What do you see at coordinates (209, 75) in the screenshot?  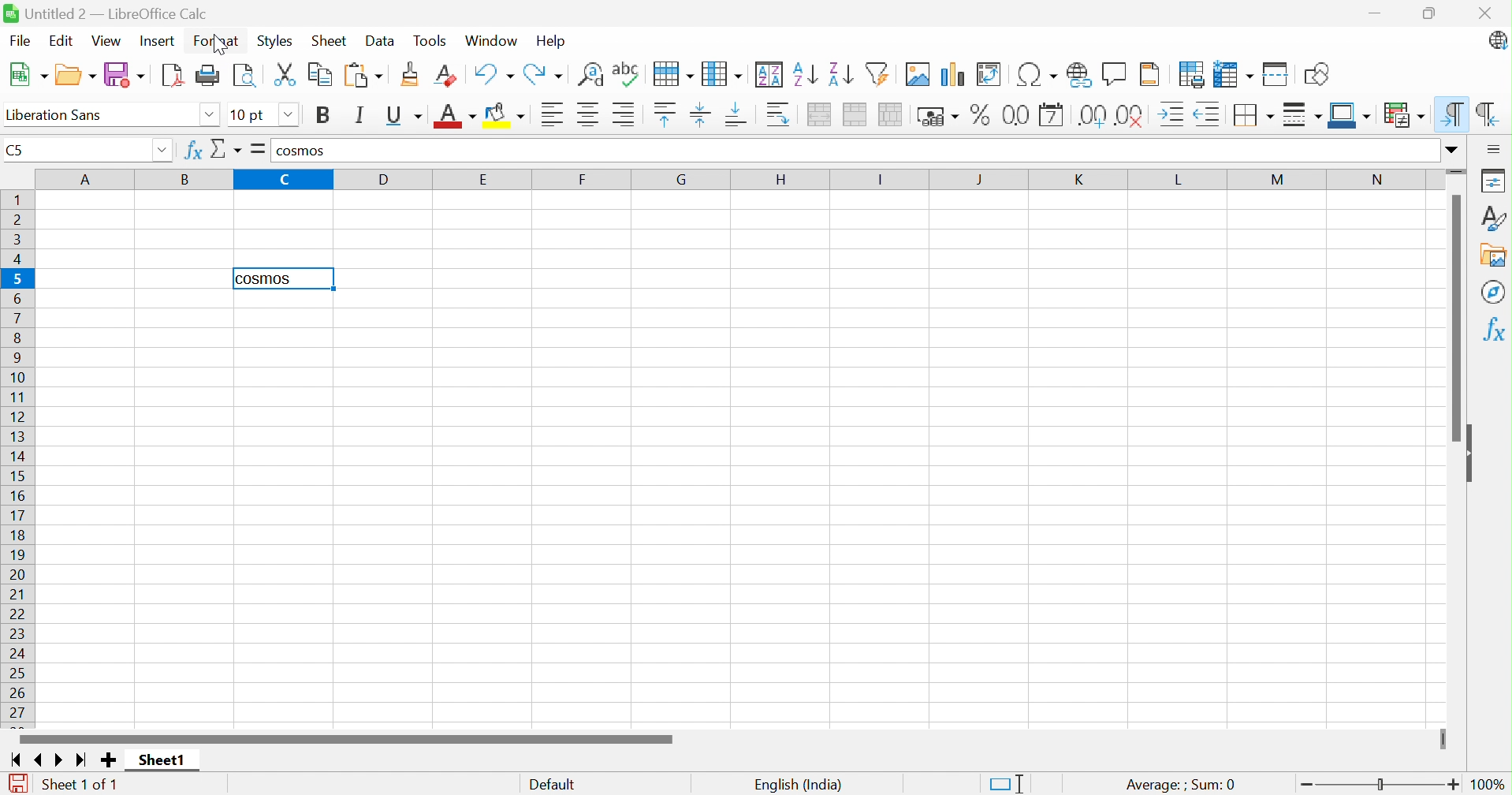 I see `Print` at bounding box center [209, 75].